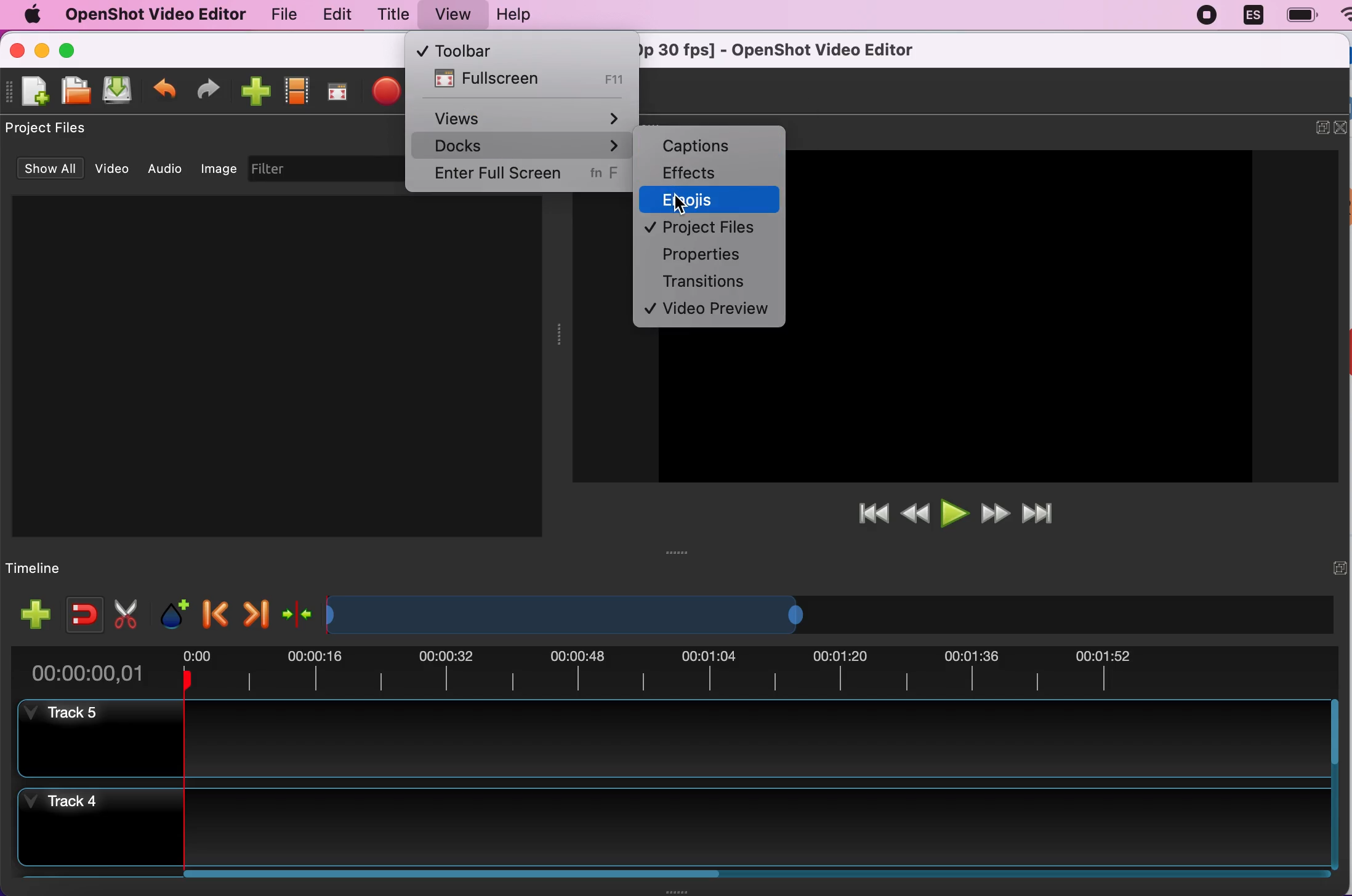 Image resolution: width=1352 pixels, height=896 pixels. Describe the element at coordinates (672, 827) in the screenshot. I see `track 4` at that location.